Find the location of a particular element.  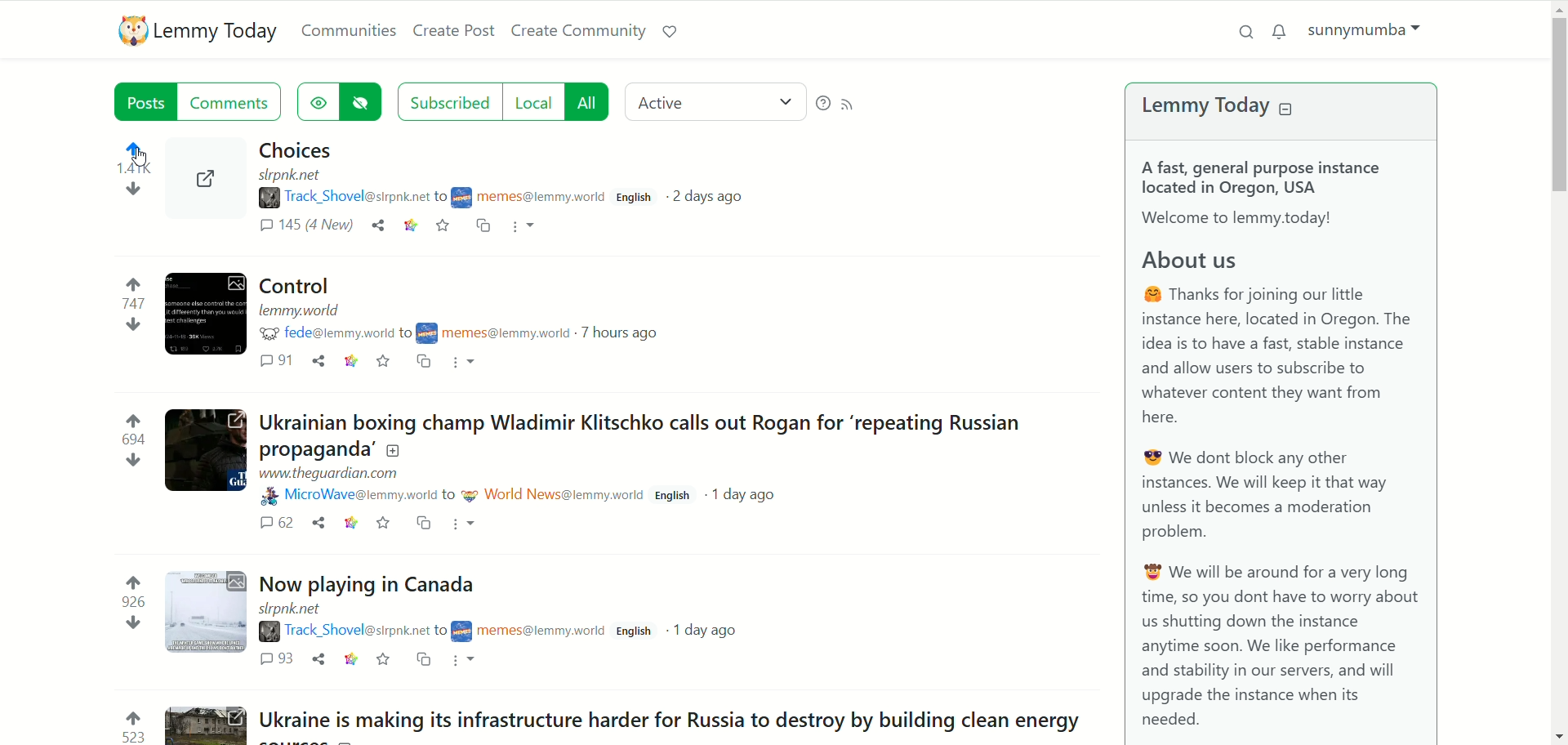

notifications is located at coordinates (1281, 33).